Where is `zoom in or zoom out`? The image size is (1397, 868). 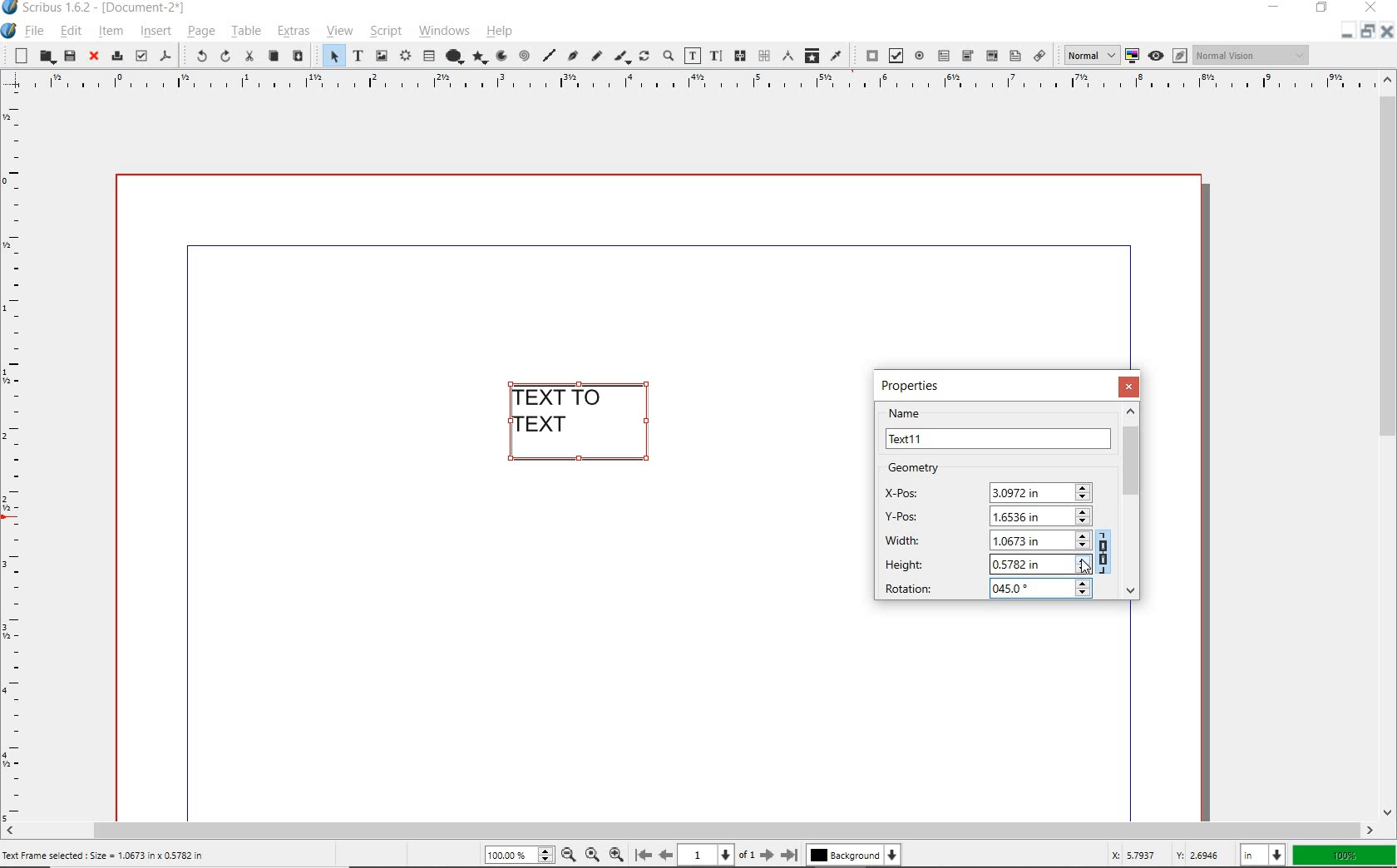
zoom in or zoom out is located at coordinates (668, 57).